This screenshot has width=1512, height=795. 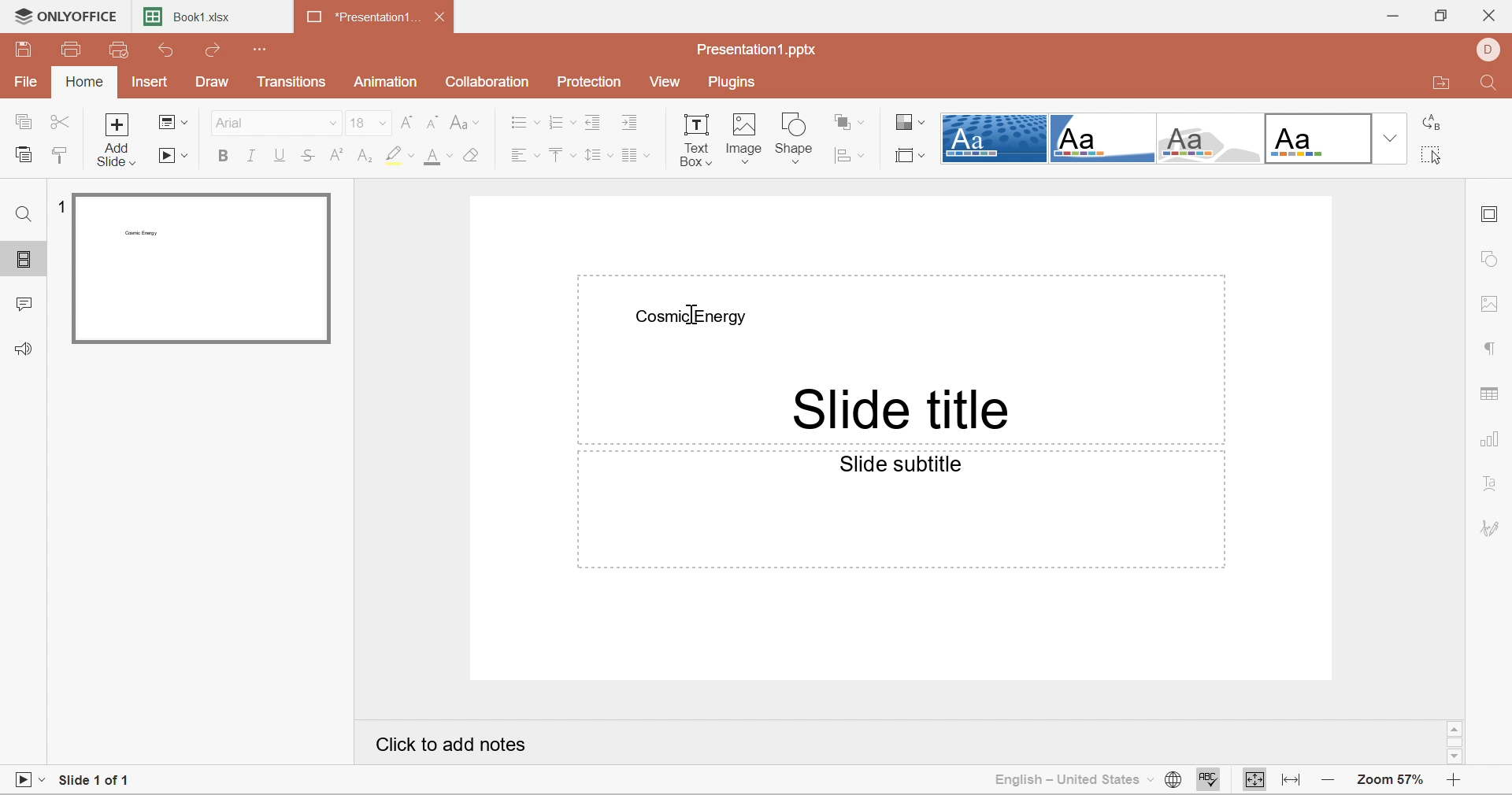 What do you see at coordinates (23, 307) in the screenshot?
I see `Comments` at bounding box center [23, 307].